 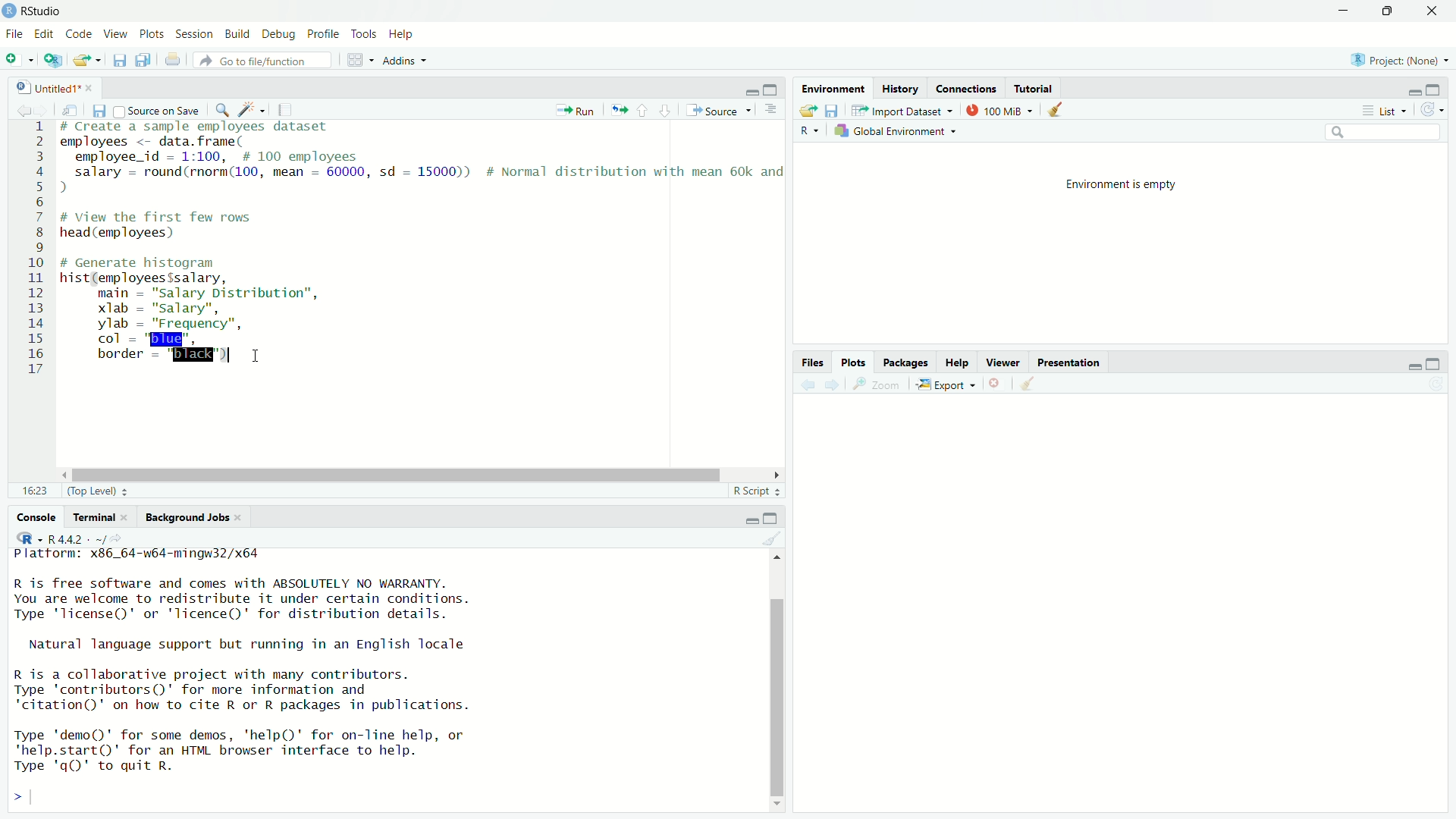 I want to click on close, so click(x=1433, y=11).